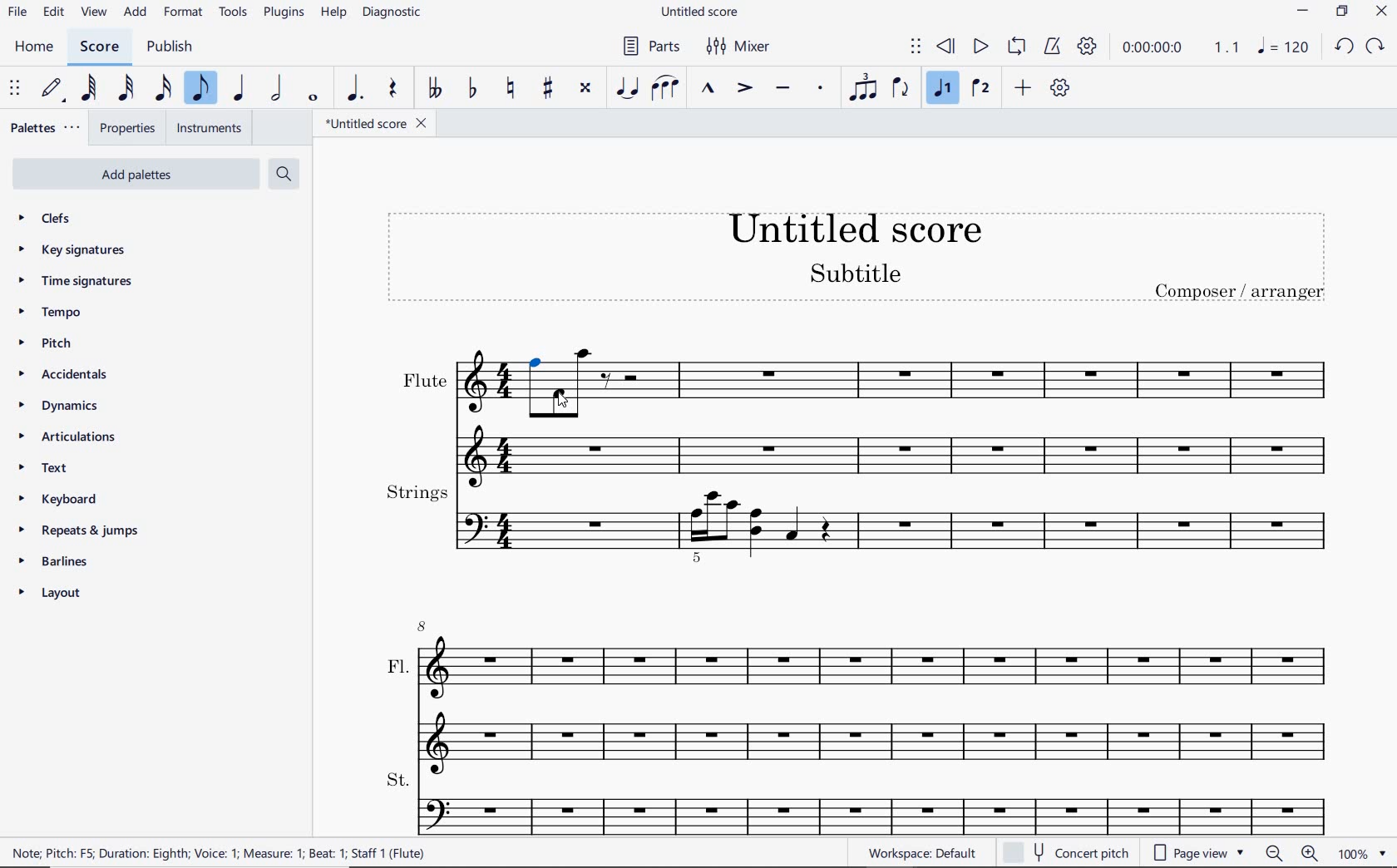 Image resolution: width=1397 pixels, height=868 pixels. I want to click on MIXER, so click(736, 47).